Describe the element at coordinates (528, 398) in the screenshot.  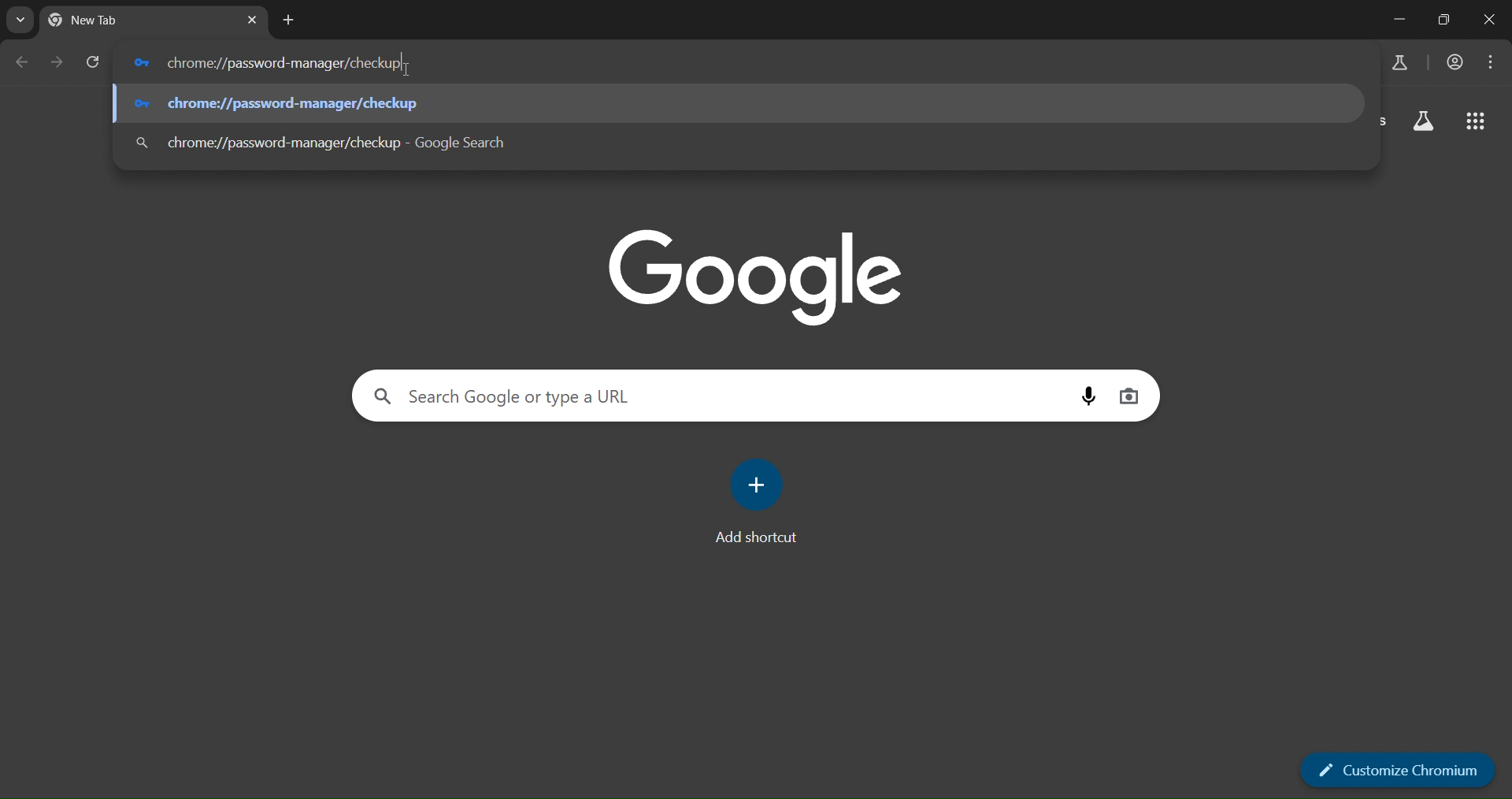
I see `search panel` at that location.